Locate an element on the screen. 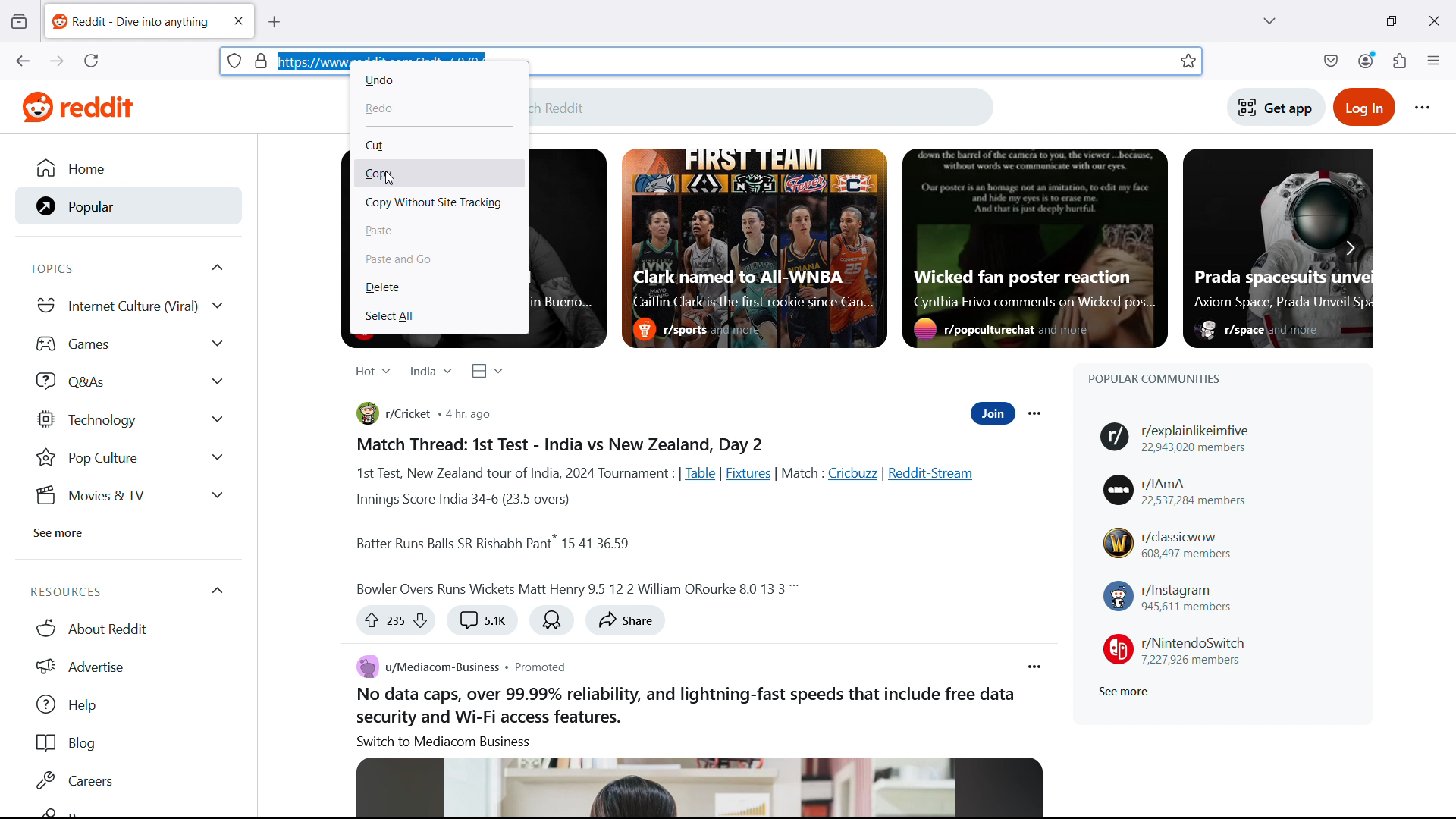 Image resolution: width=1456 pixels, height=819 pixels. Popular is located at coordinates (123, 206).